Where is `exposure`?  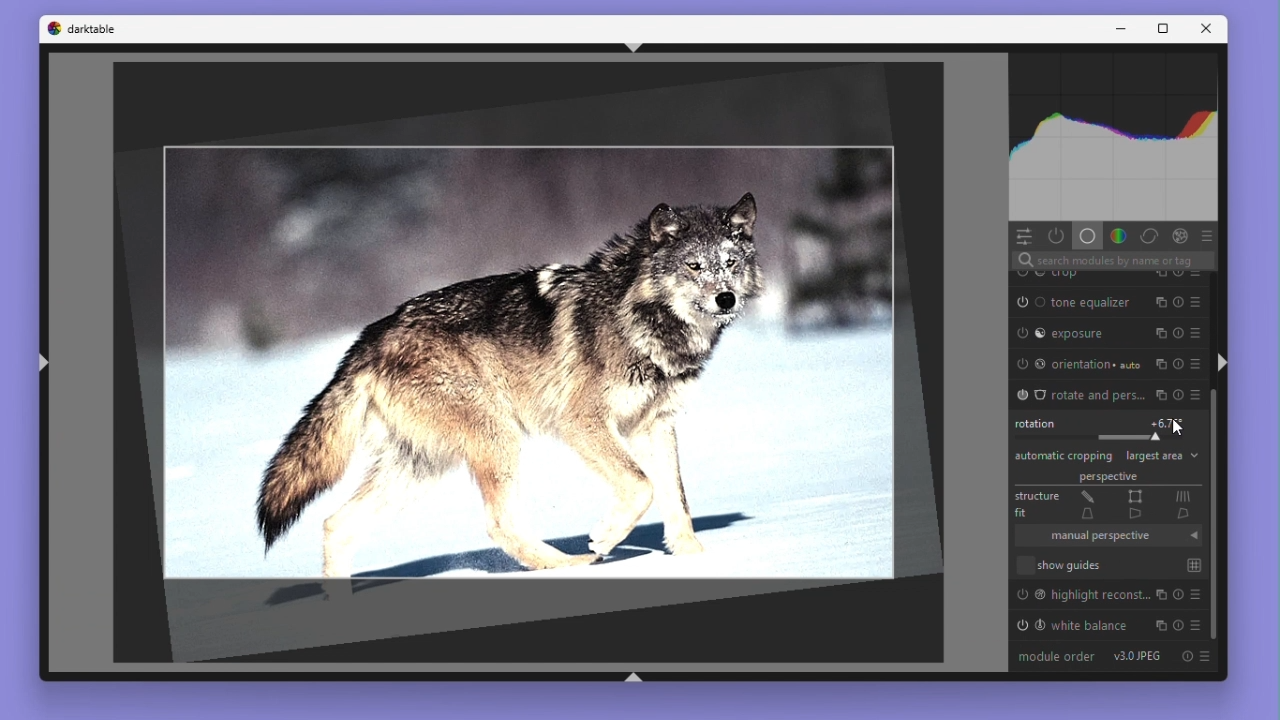 exposure is located at coordinates (1111, 333).